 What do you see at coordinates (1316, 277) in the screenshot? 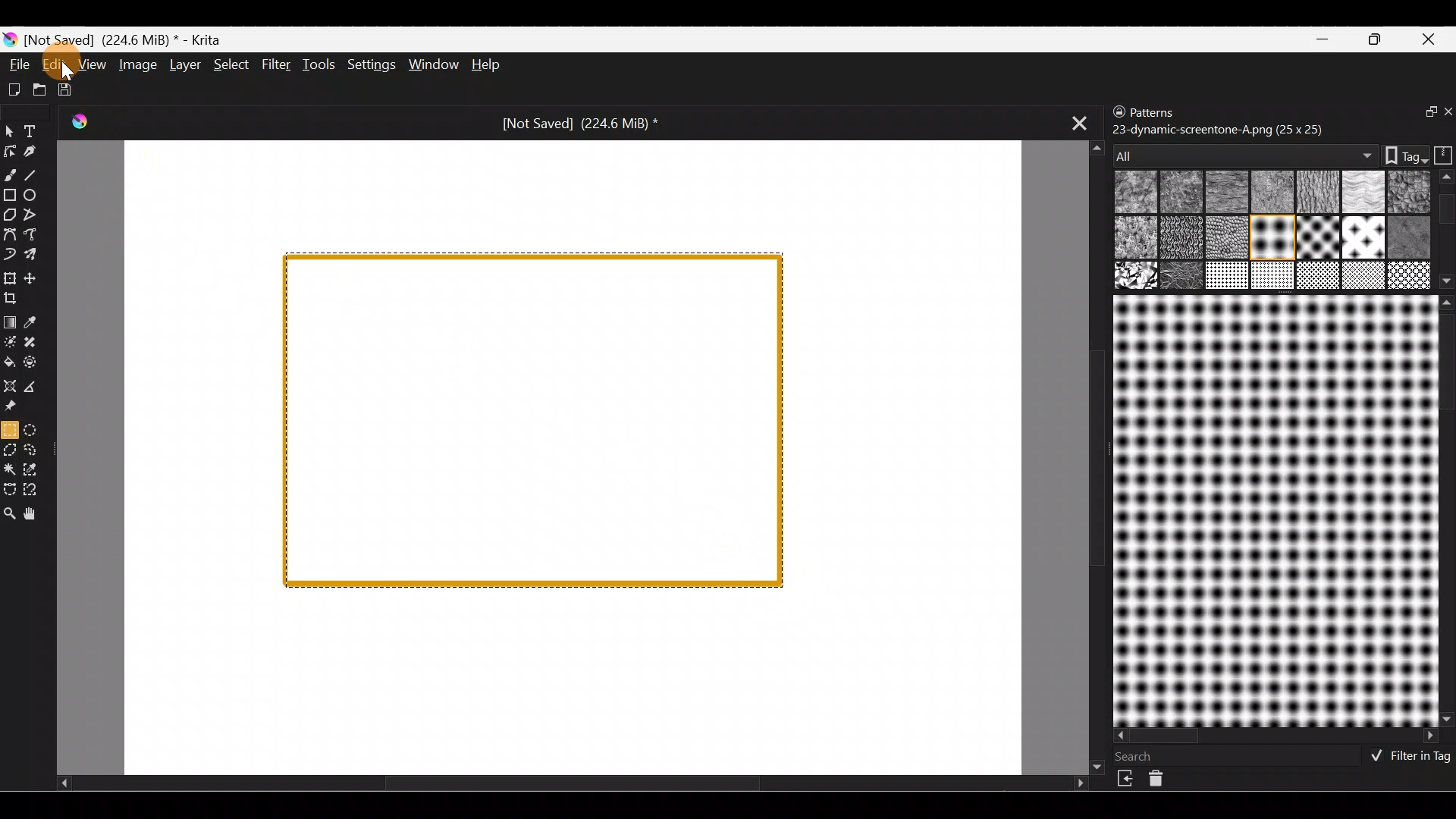
I see `18 texture_bark.png` at bounding box center [1316, 277].